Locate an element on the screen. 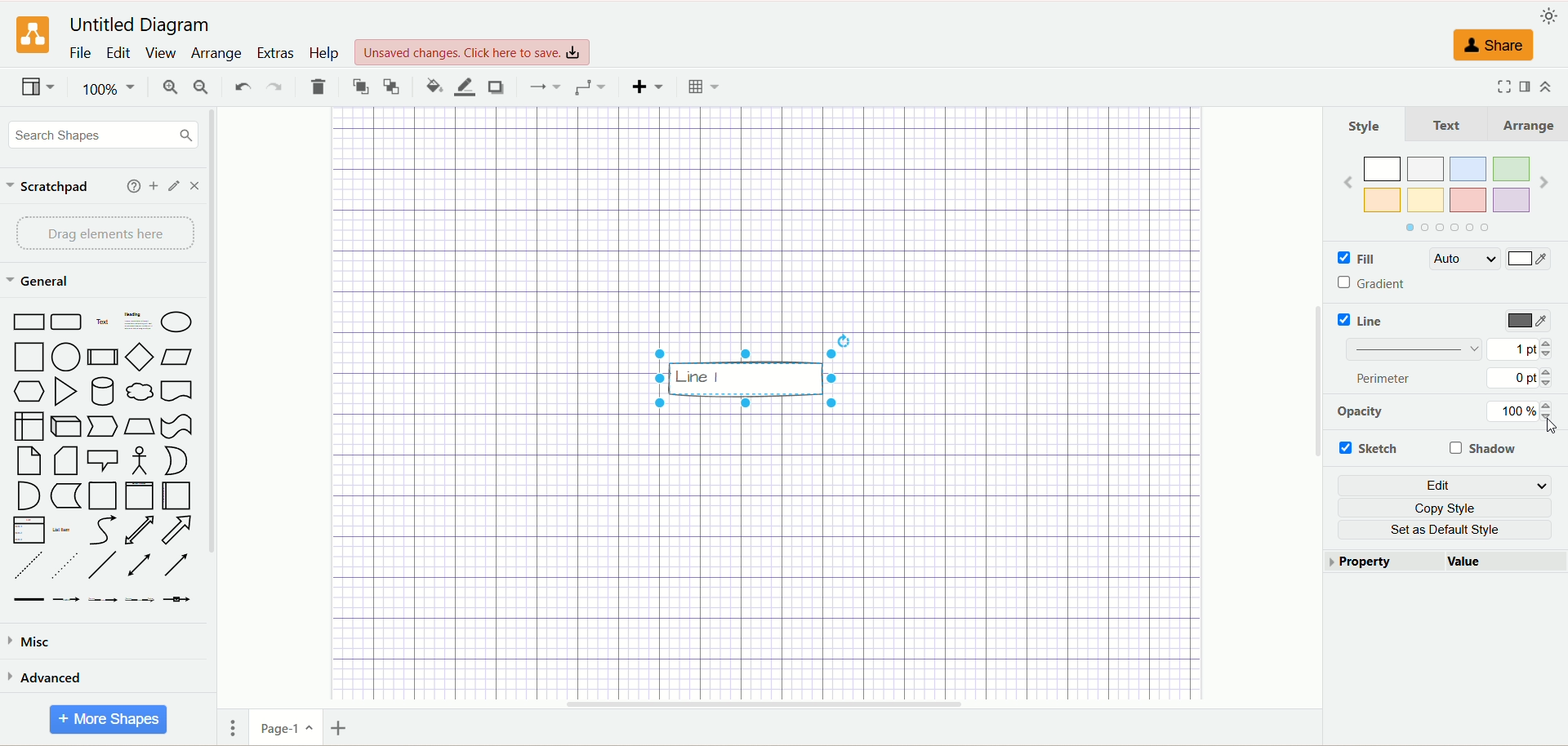 The width and height of the screenshot is (1568, 746). search shapes is located at coordinates (99, 134).